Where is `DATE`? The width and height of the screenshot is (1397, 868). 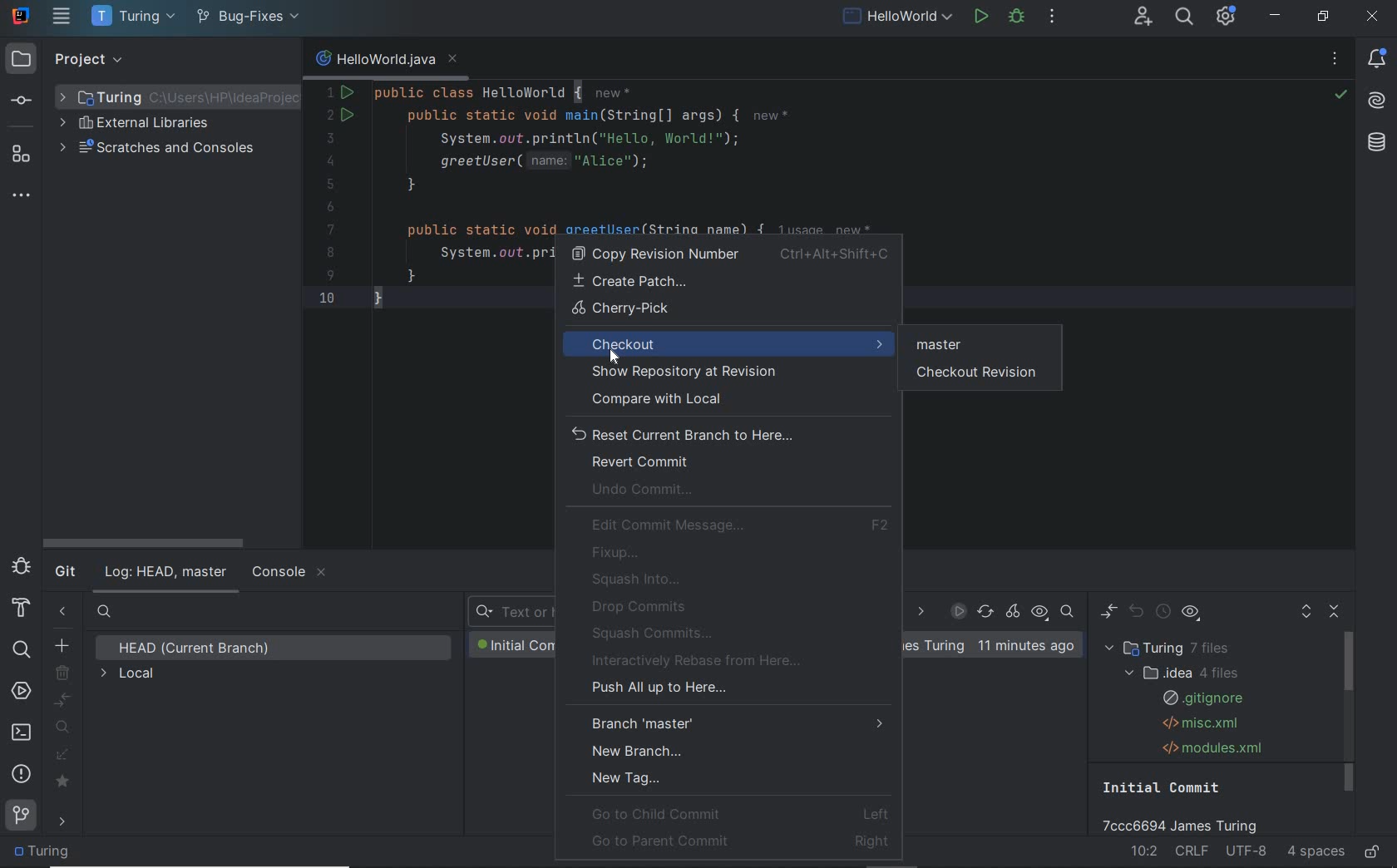 DATE is located at coordinates (920, 613).